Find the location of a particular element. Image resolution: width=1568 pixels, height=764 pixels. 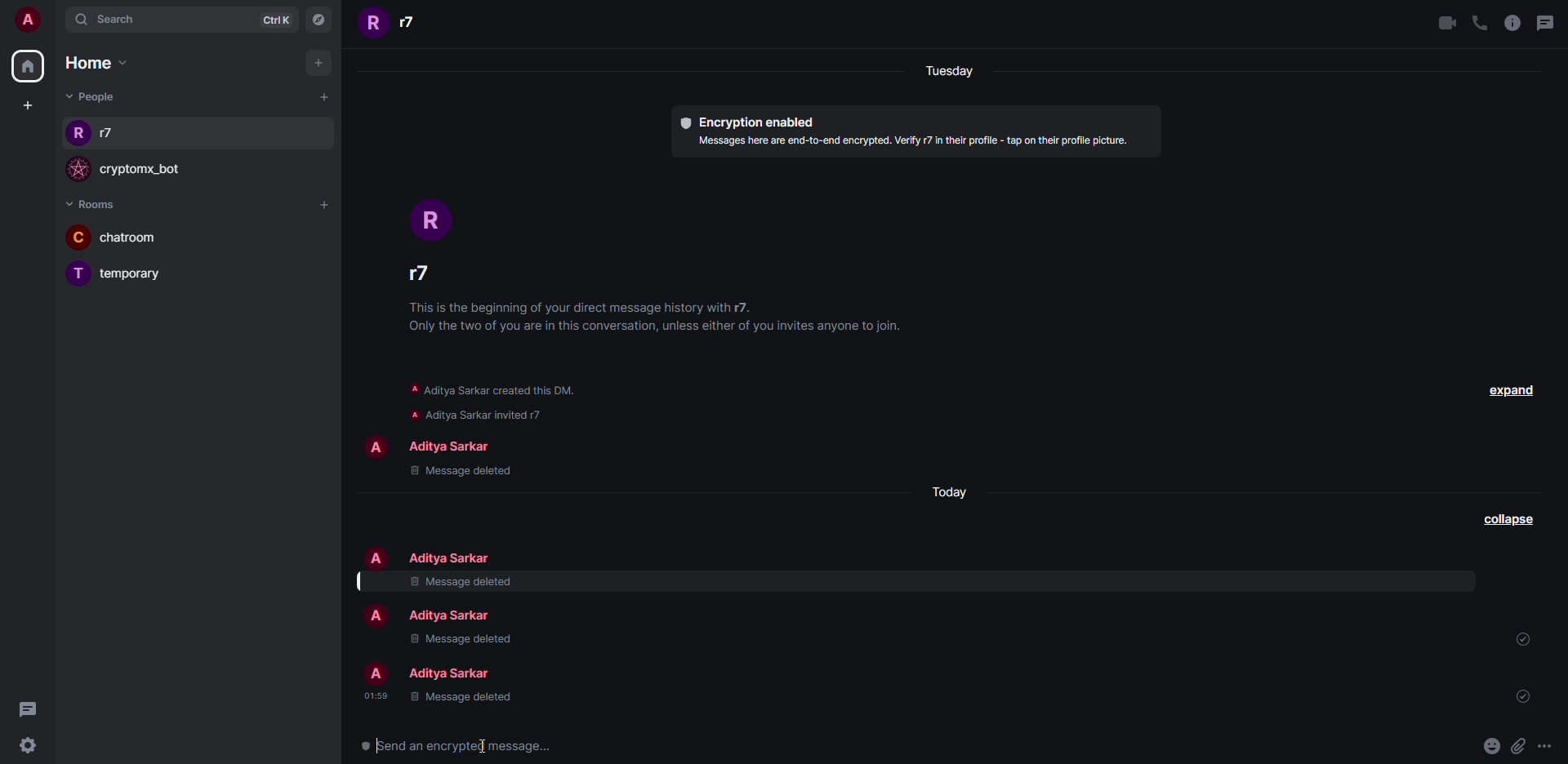

time is located at coordinates (375, 695).